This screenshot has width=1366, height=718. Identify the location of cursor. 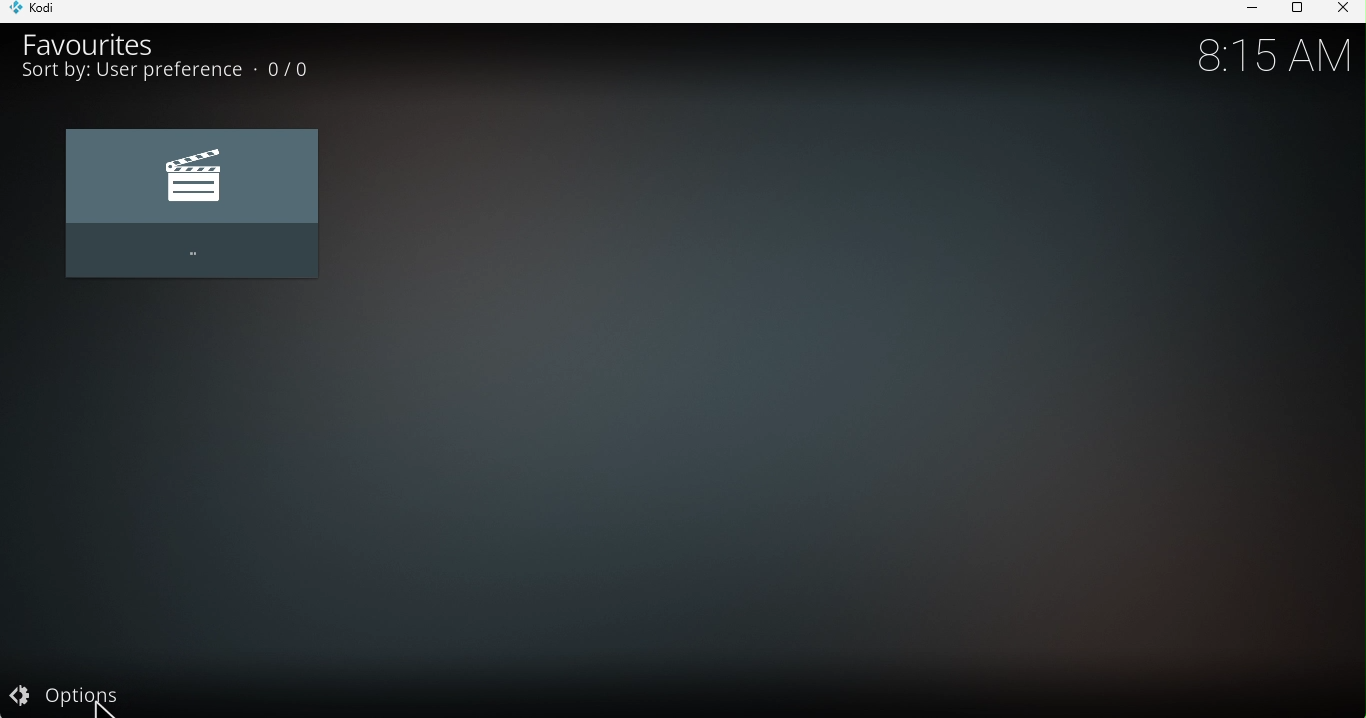
(103, 701).